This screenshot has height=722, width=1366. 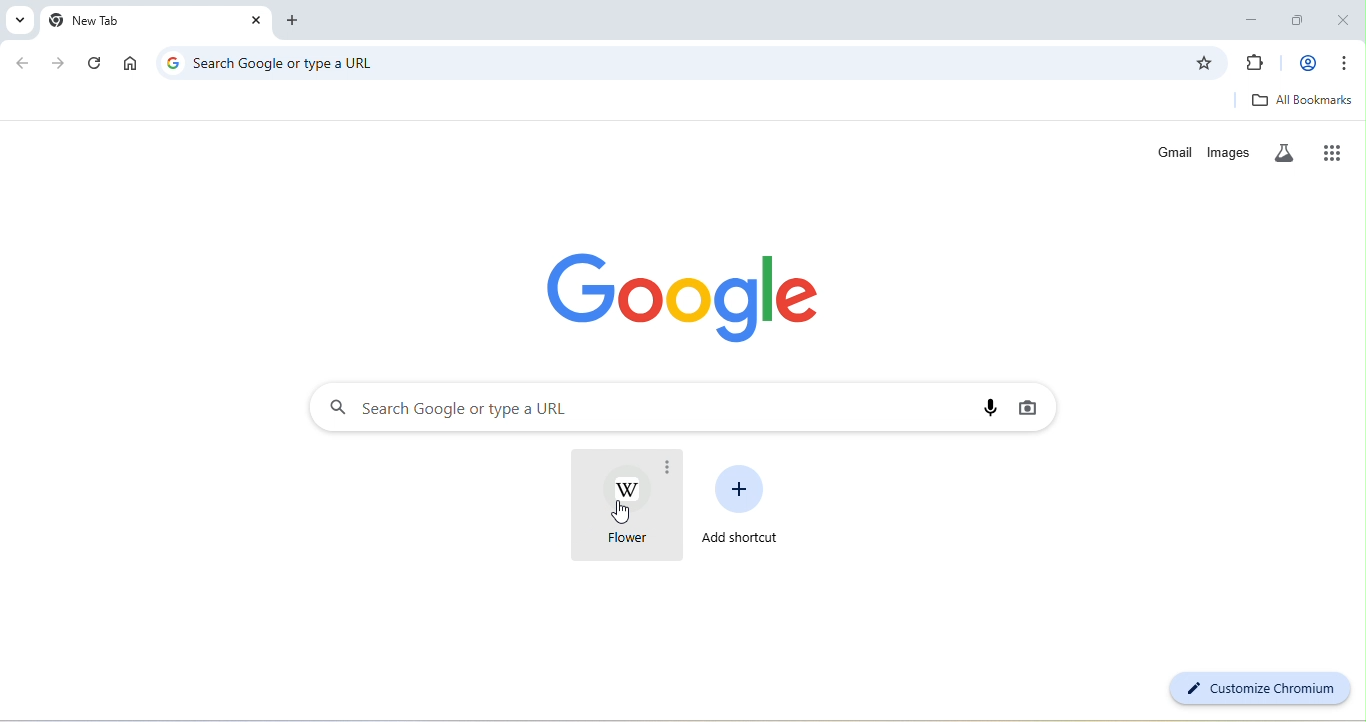 What do you see at coordinates (621, 515) in the screenshot?
I see `cursor` at bounding box center [621, 515].